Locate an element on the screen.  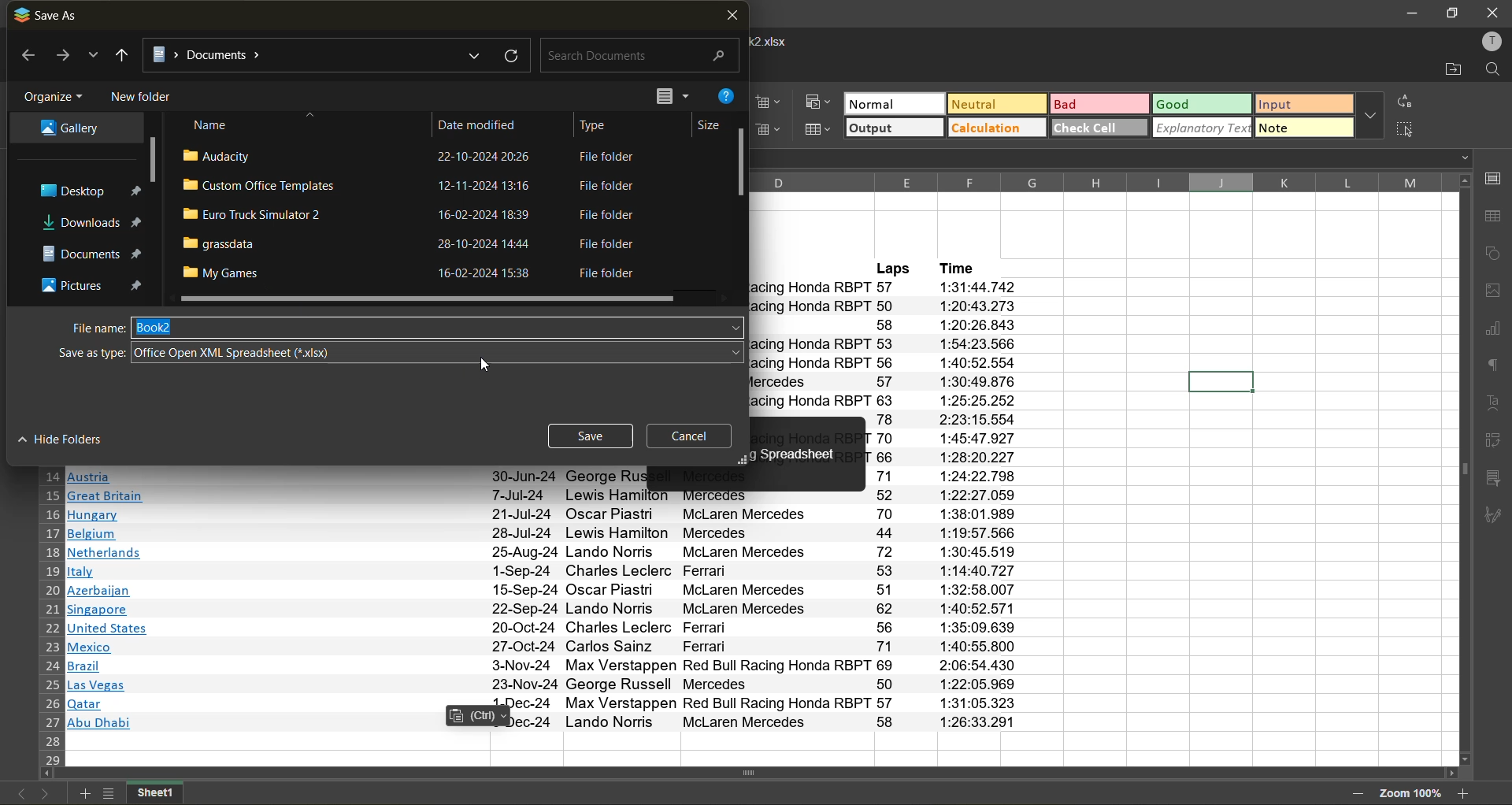
find is located at coordinates (1494, 70).